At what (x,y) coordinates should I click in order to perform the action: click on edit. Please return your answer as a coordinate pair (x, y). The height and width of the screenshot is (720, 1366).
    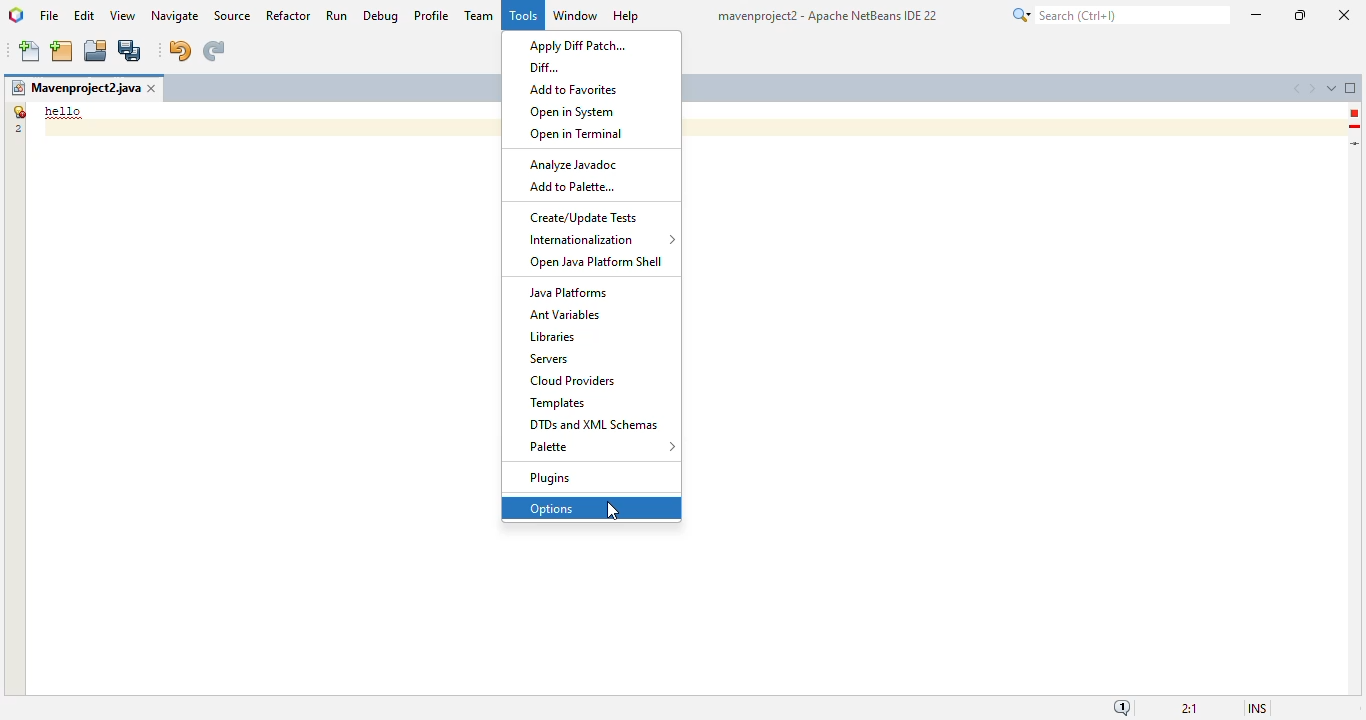
    Looking at the image, I should click on (85, 15).